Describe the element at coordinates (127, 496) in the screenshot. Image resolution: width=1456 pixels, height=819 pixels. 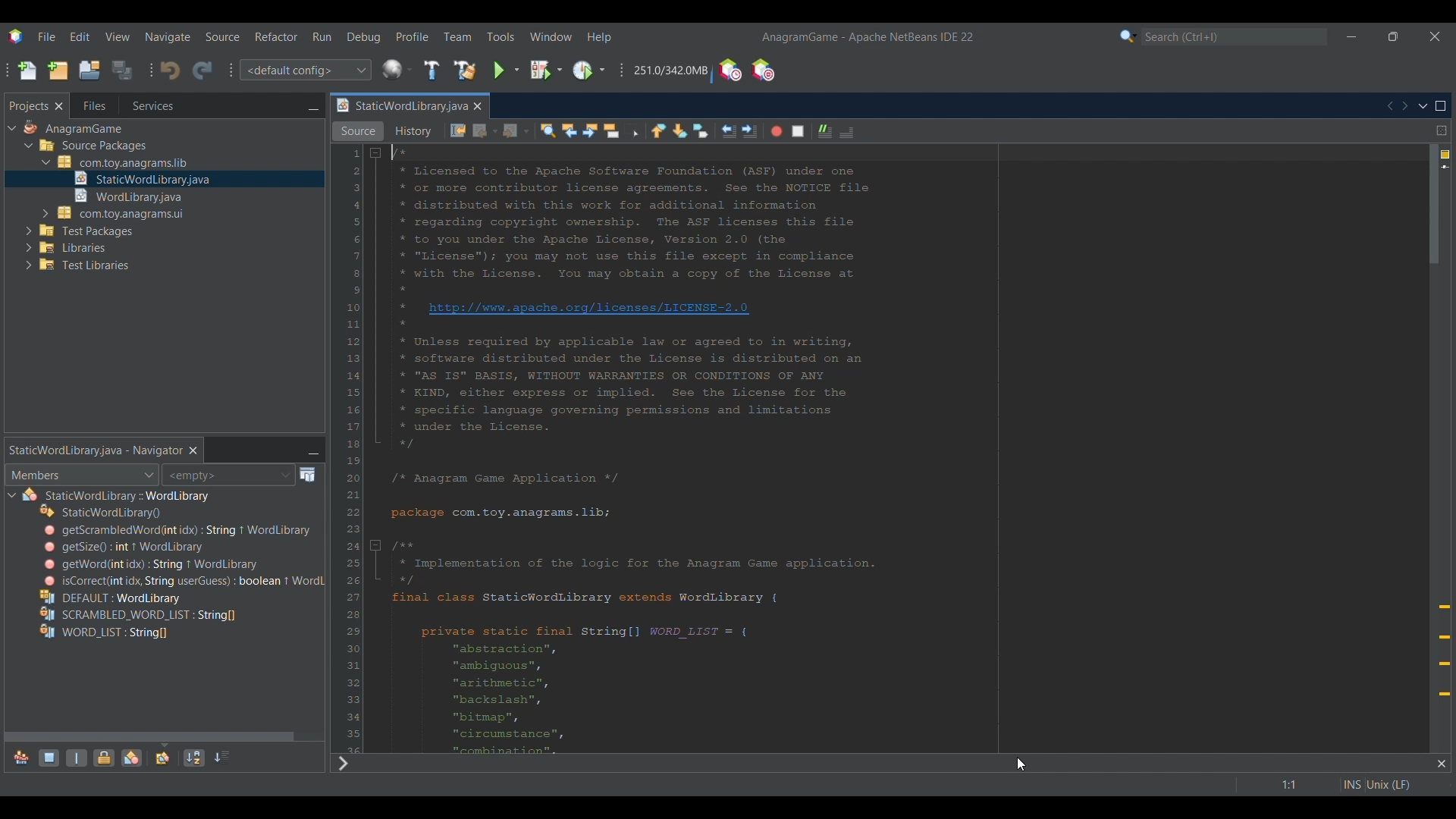
I see `` at that location.